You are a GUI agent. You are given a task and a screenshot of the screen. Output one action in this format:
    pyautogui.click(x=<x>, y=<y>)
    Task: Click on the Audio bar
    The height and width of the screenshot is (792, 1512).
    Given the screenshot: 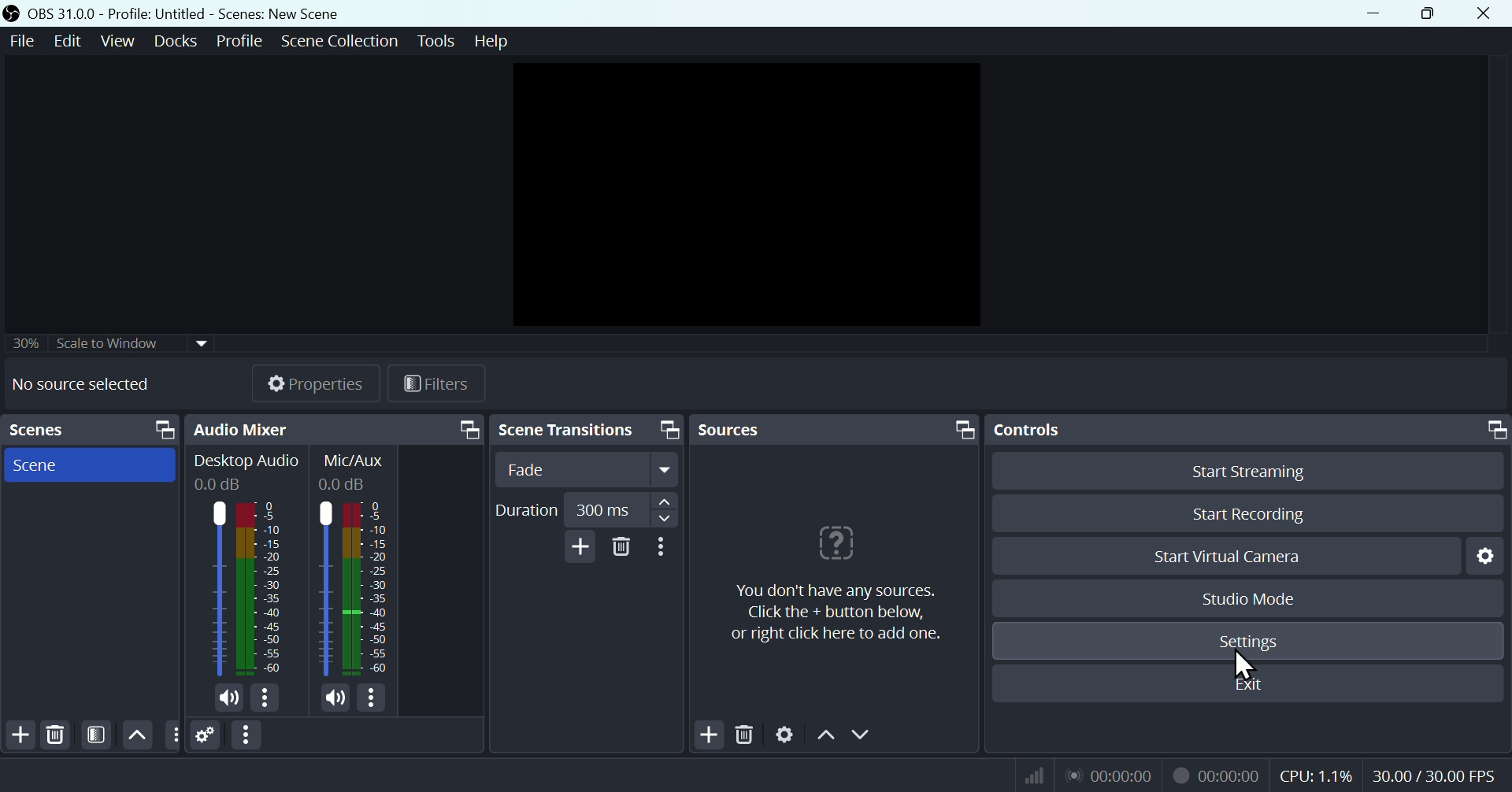 What is the action you would take?
    pyautogui.click(x=244, y=586)
    